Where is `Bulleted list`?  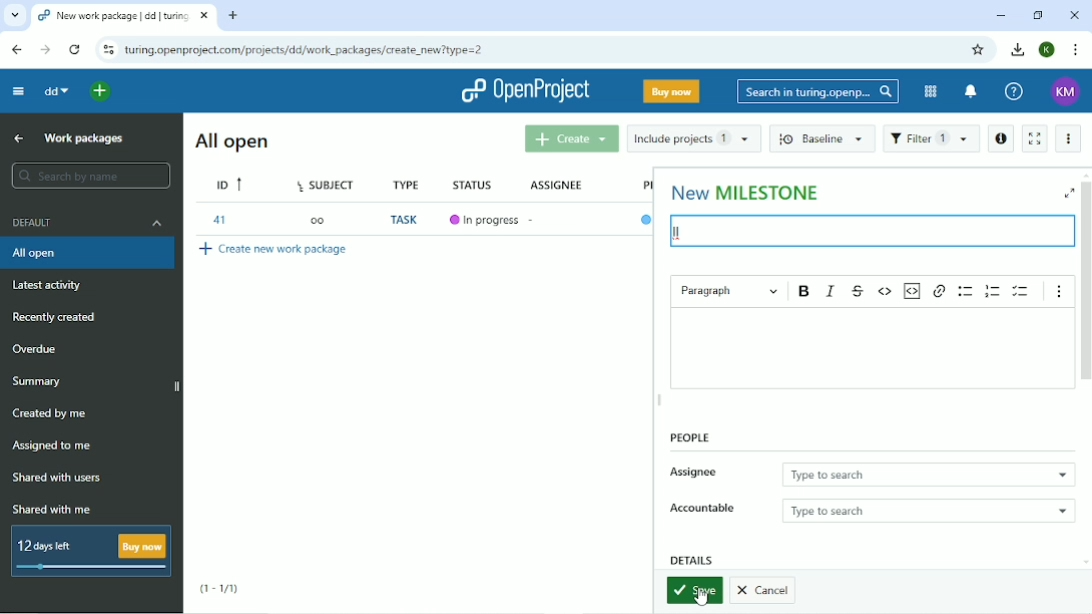 Bulleted list is located at coordinates (965, 291).